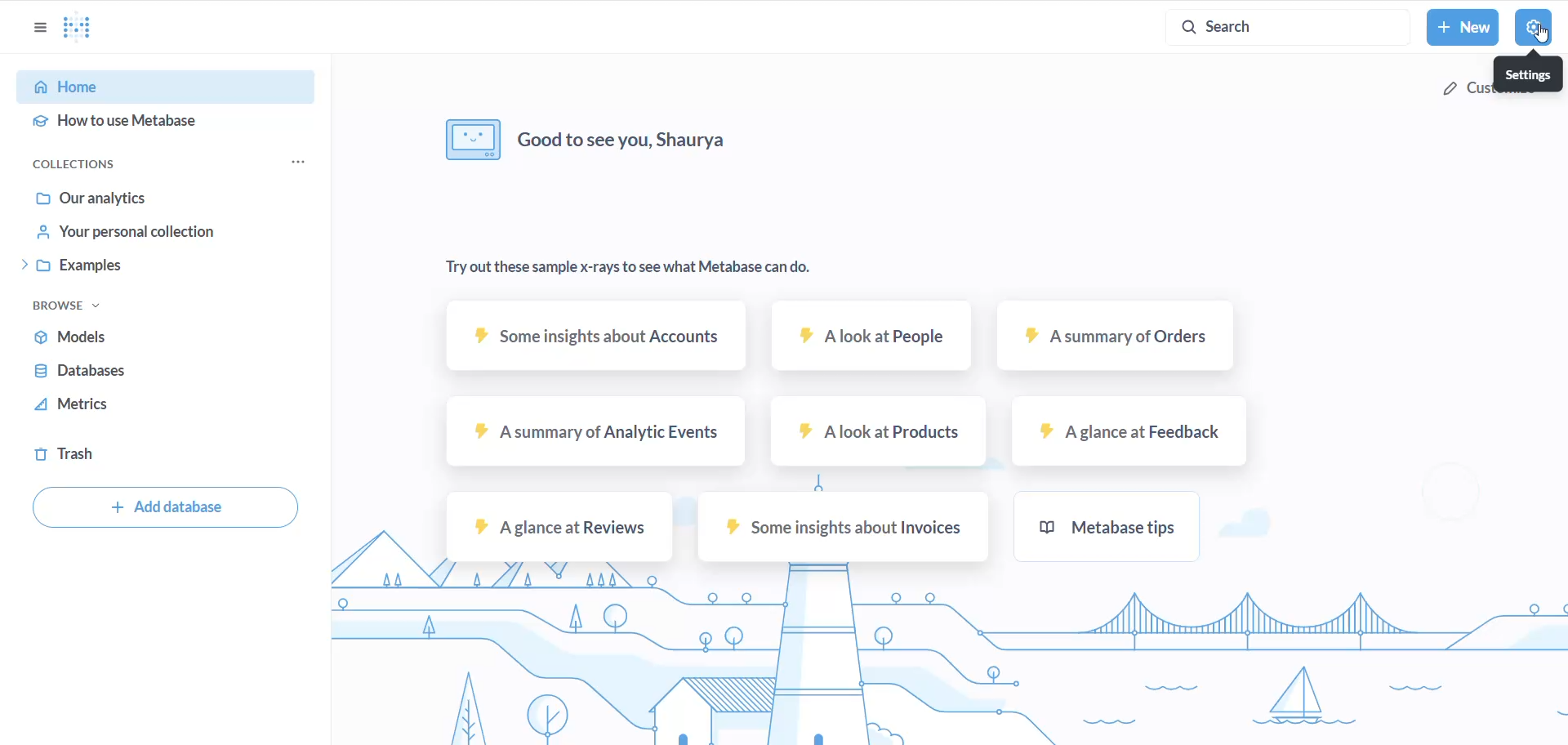 The height and width of the screenshot is (745, 1568). What do you see at coordinates (160, 507) in the screenshot?
I see `ADD DATABASE` at bounding box center [160, 507].